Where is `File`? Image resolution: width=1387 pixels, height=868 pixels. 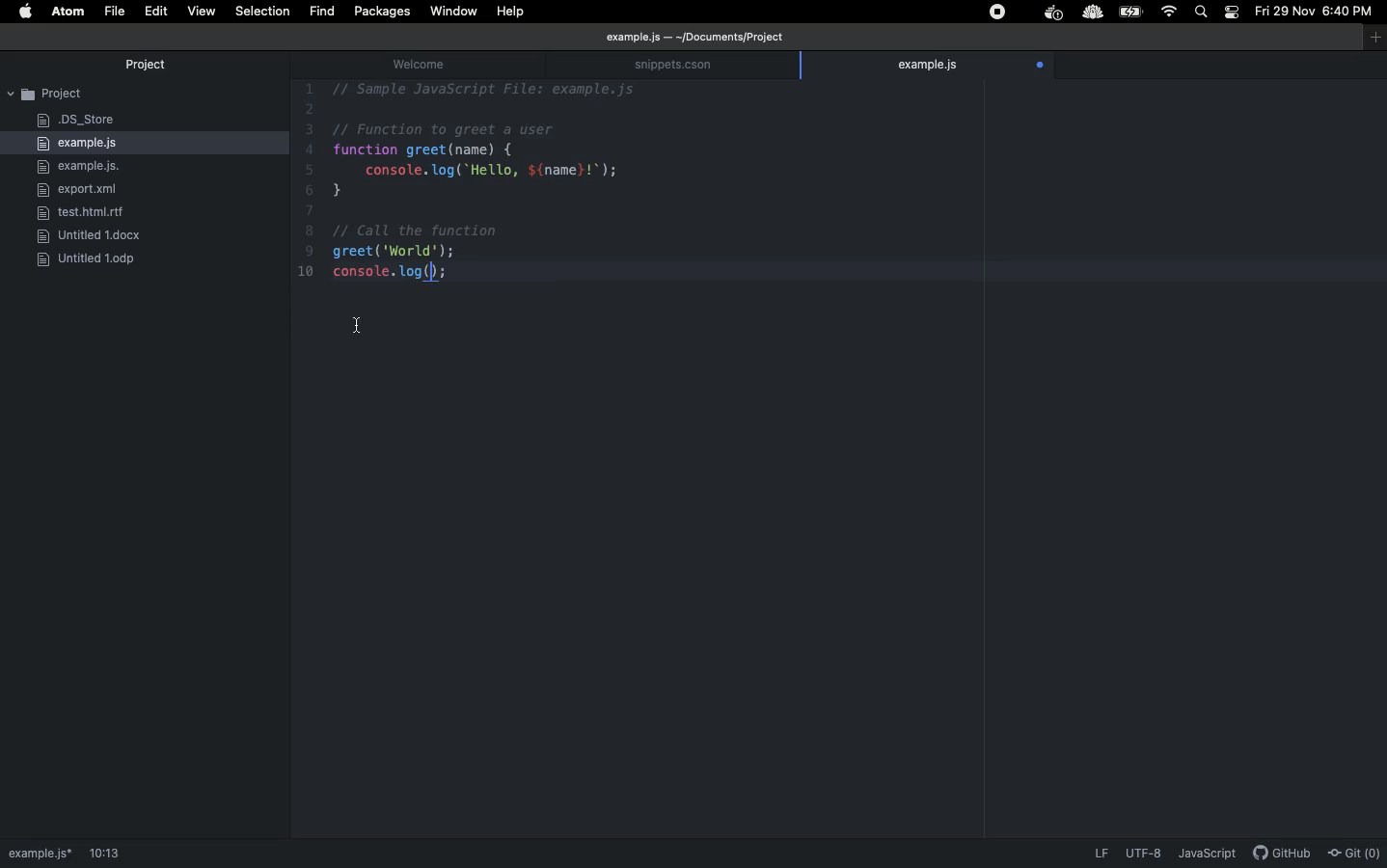
File is located at coordinates (115, 12).